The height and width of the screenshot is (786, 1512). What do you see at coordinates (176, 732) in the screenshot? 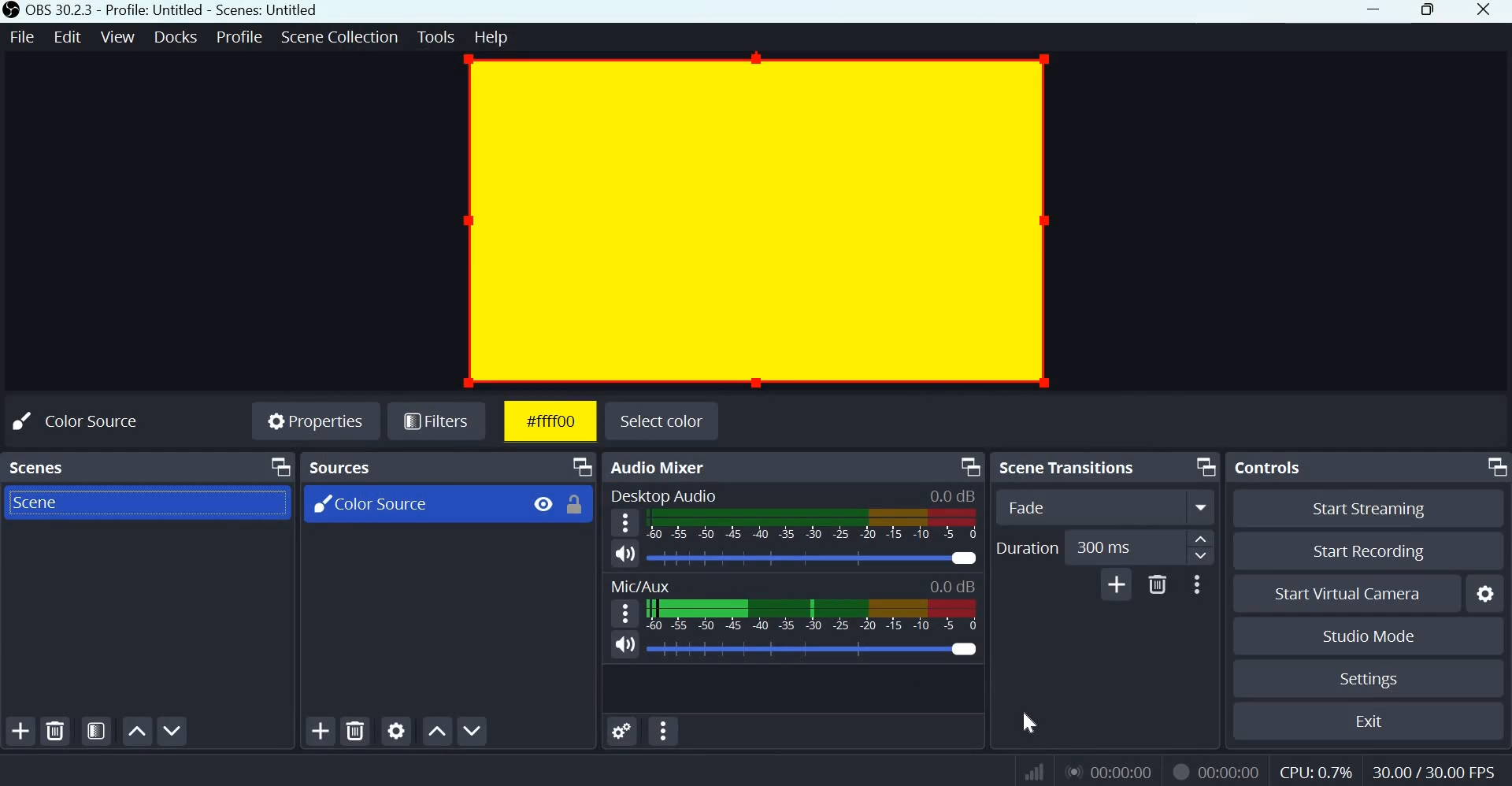
I see `Move scene down` at bounding box center [176, 732].